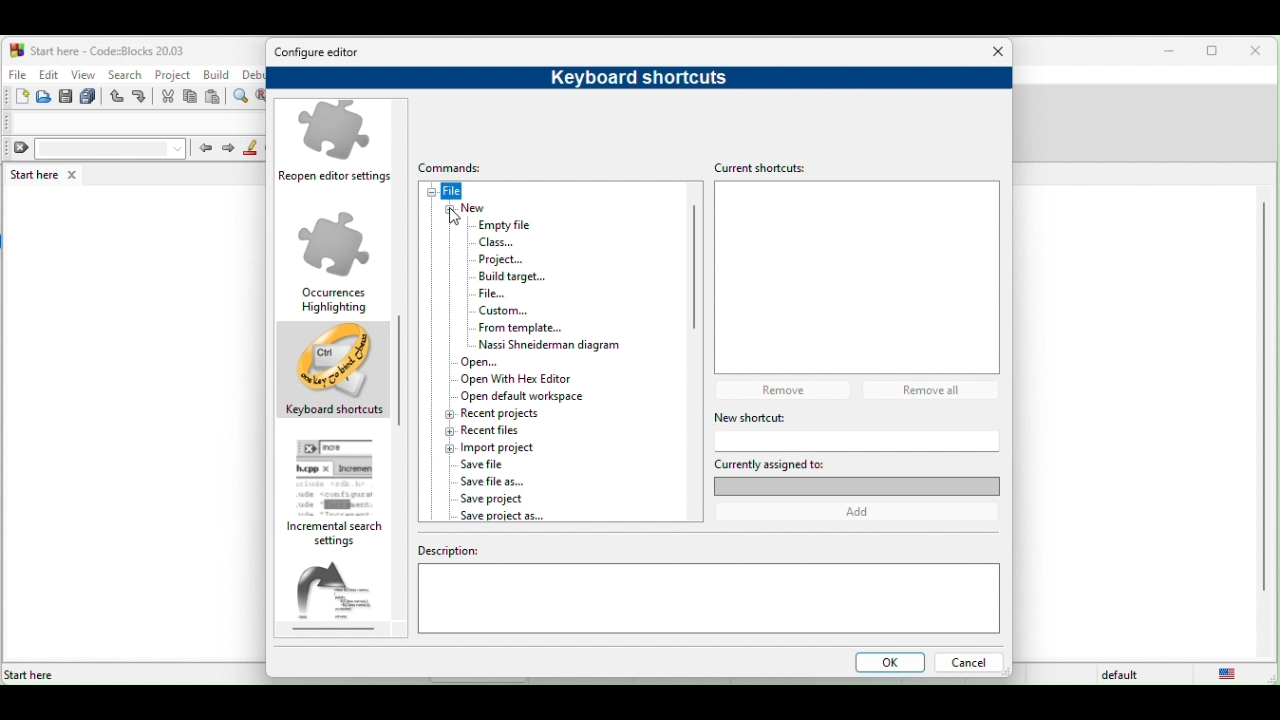 Image resolution: width=1280 pixels, height=720 pixels. I want to click on edit, so click(48, 74).